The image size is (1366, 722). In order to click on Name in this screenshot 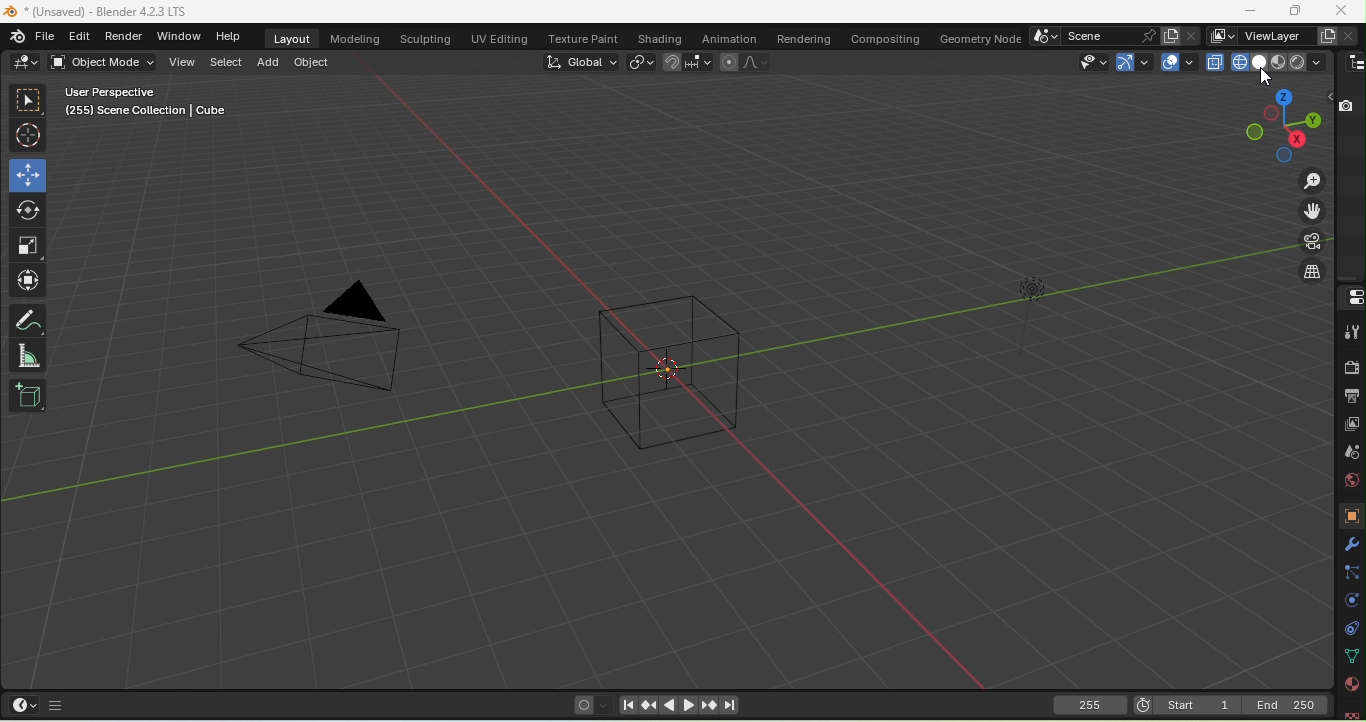, I will do `click(1097, 36)`.